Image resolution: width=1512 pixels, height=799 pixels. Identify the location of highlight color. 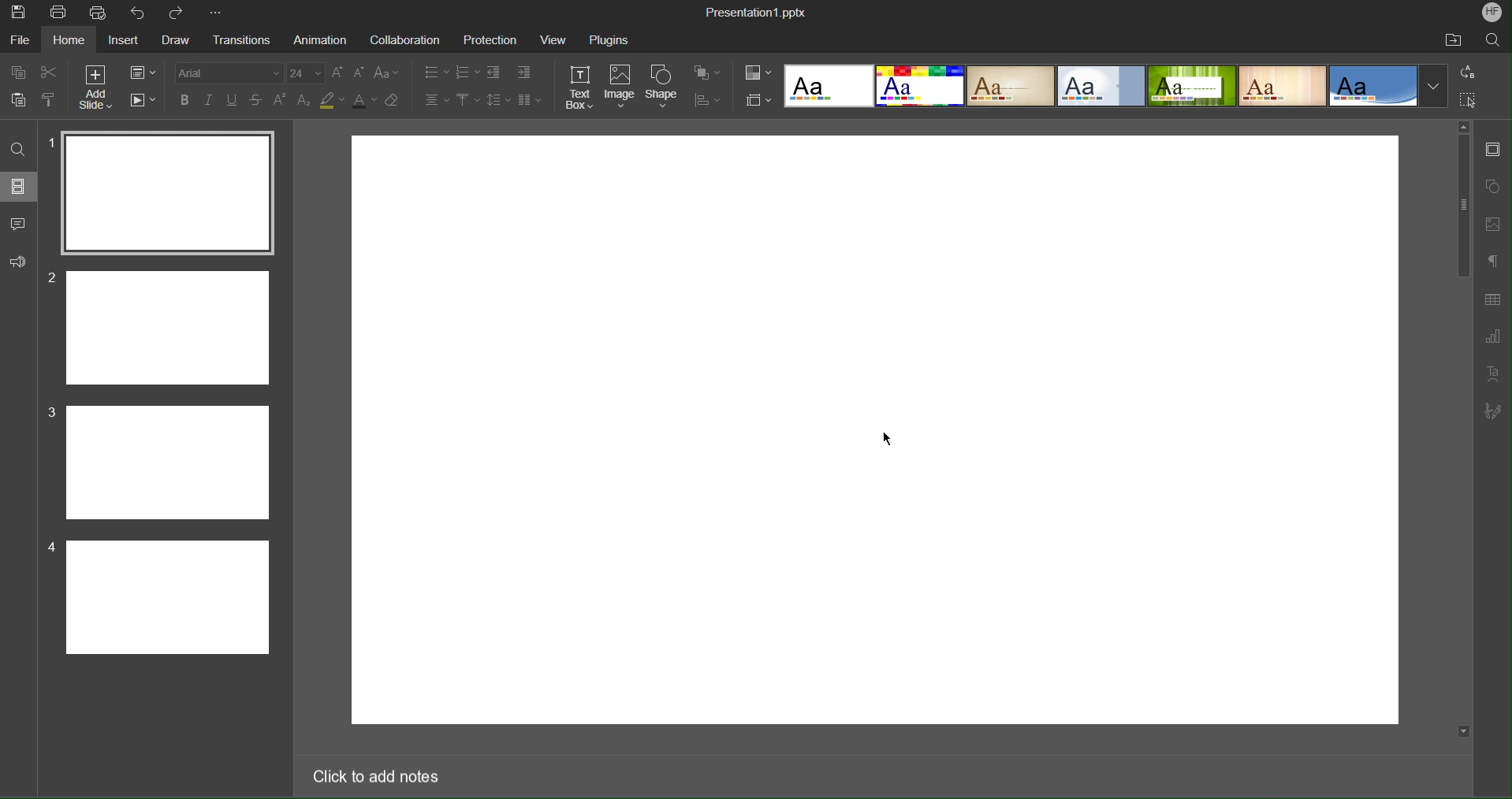
(332, 102).